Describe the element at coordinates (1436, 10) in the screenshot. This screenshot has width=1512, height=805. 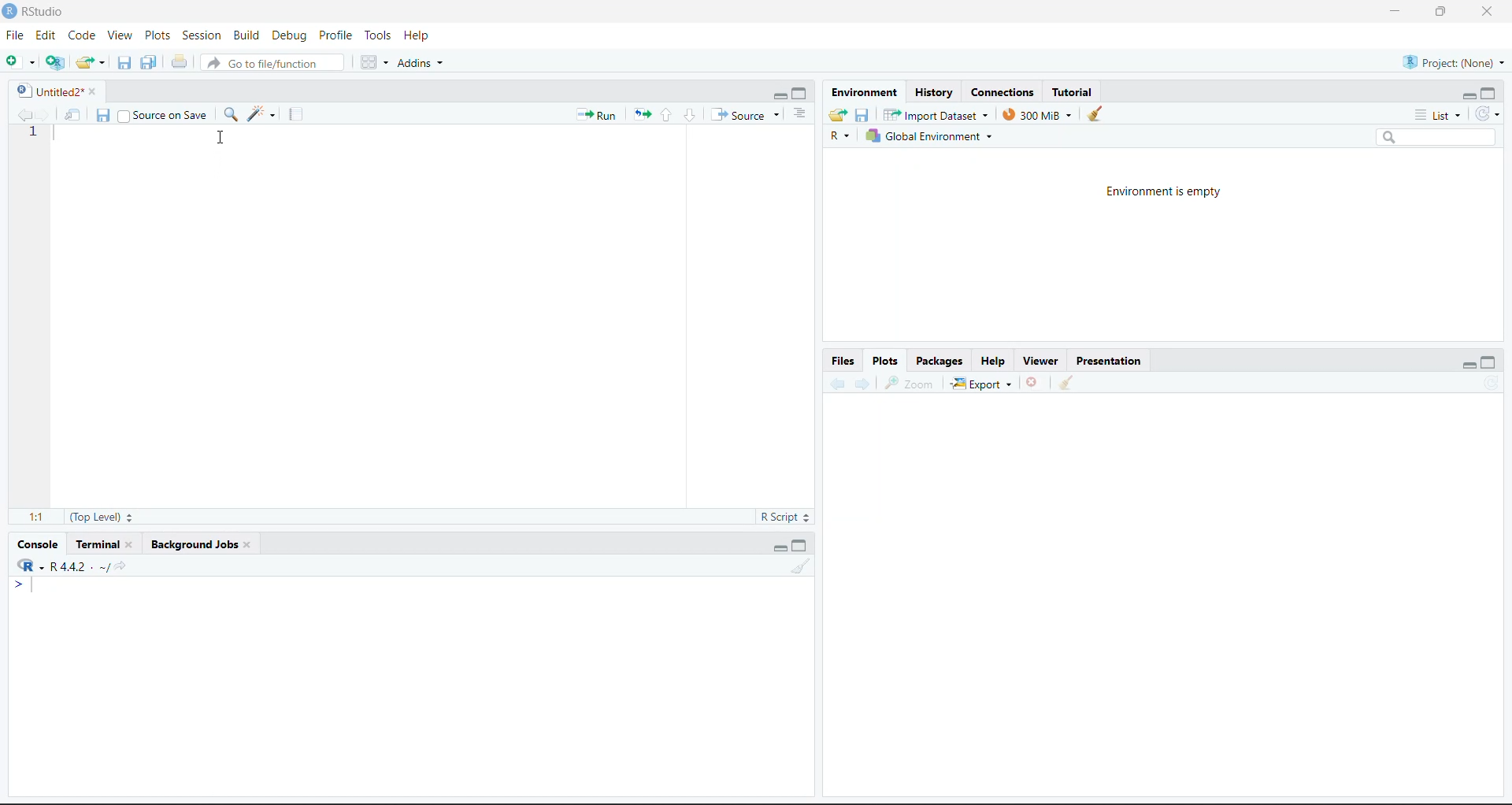
I see `maximize` at that location.